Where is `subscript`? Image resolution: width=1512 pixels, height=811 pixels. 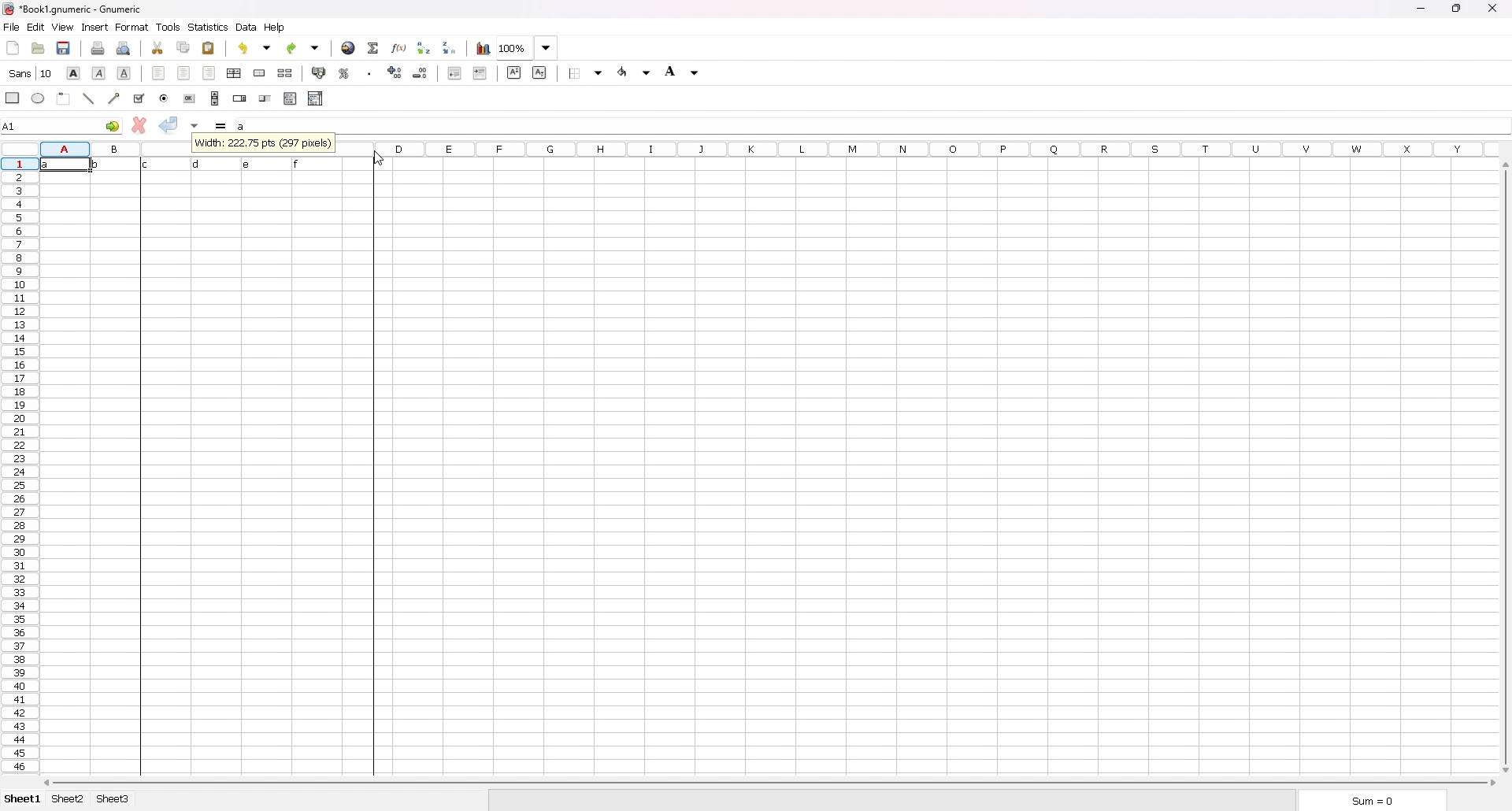
subscript is located at coordinates (539, 72).